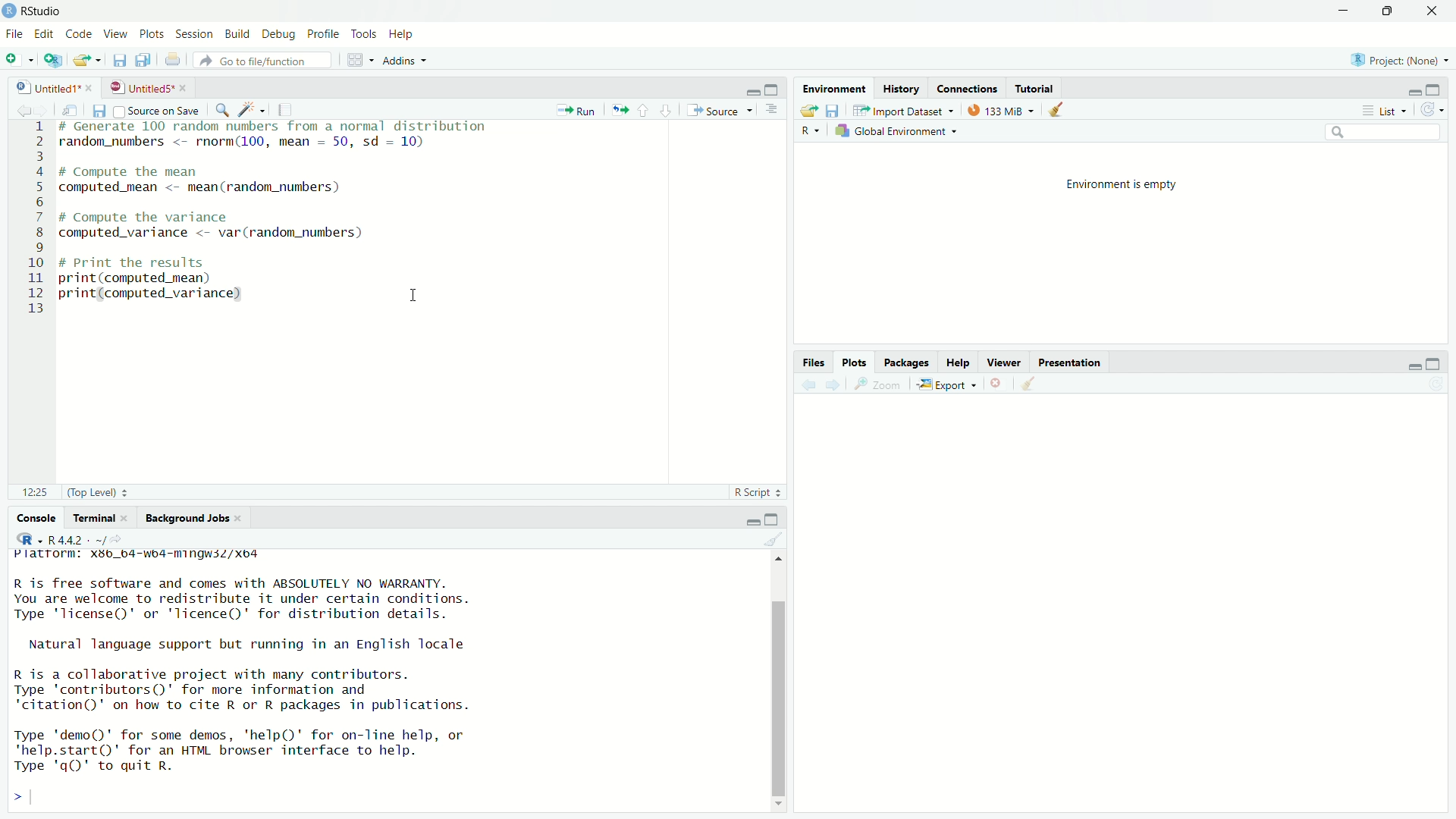  I want to click on hide document online, so click(775, 111).